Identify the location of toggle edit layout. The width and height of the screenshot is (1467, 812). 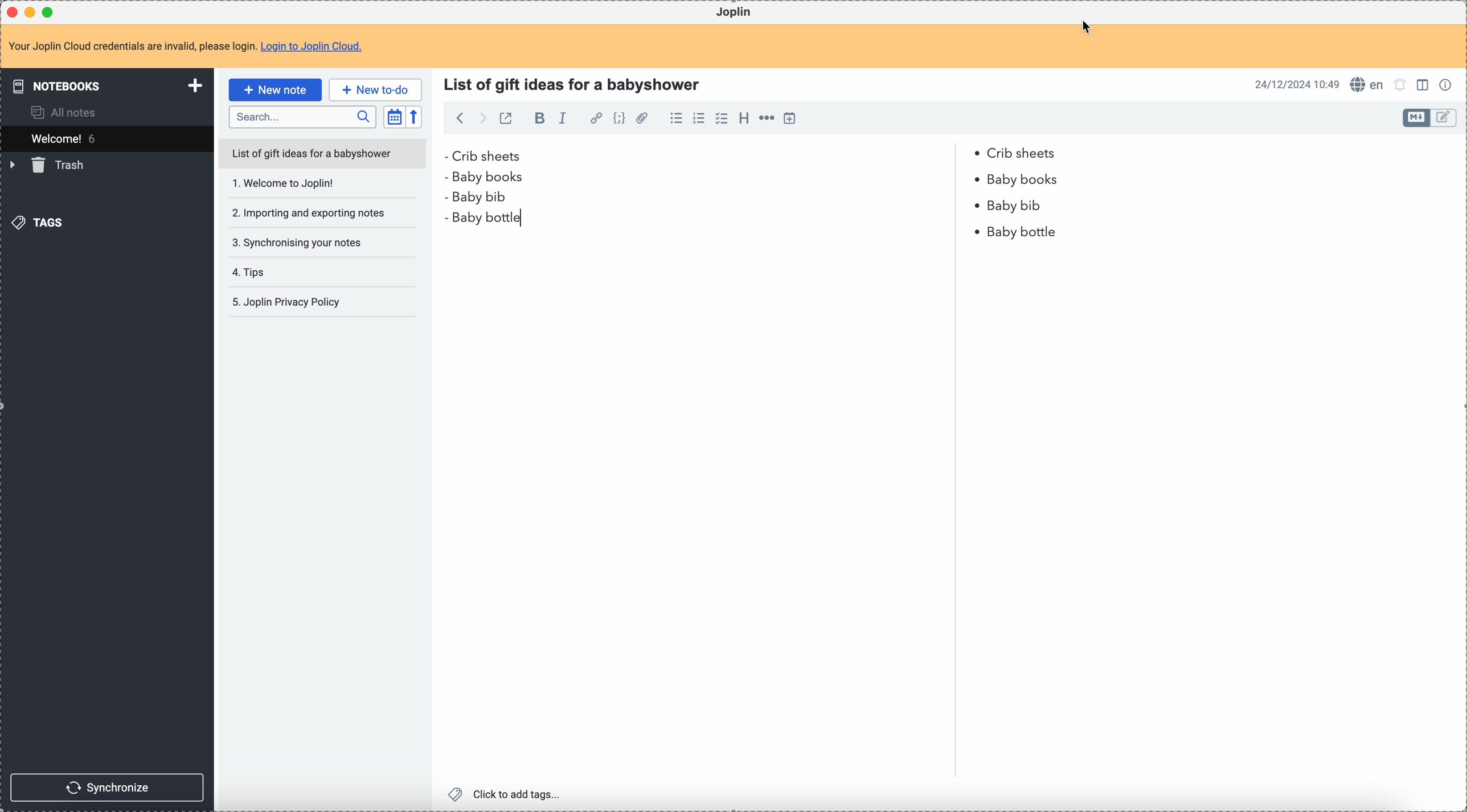
(1444, 118).